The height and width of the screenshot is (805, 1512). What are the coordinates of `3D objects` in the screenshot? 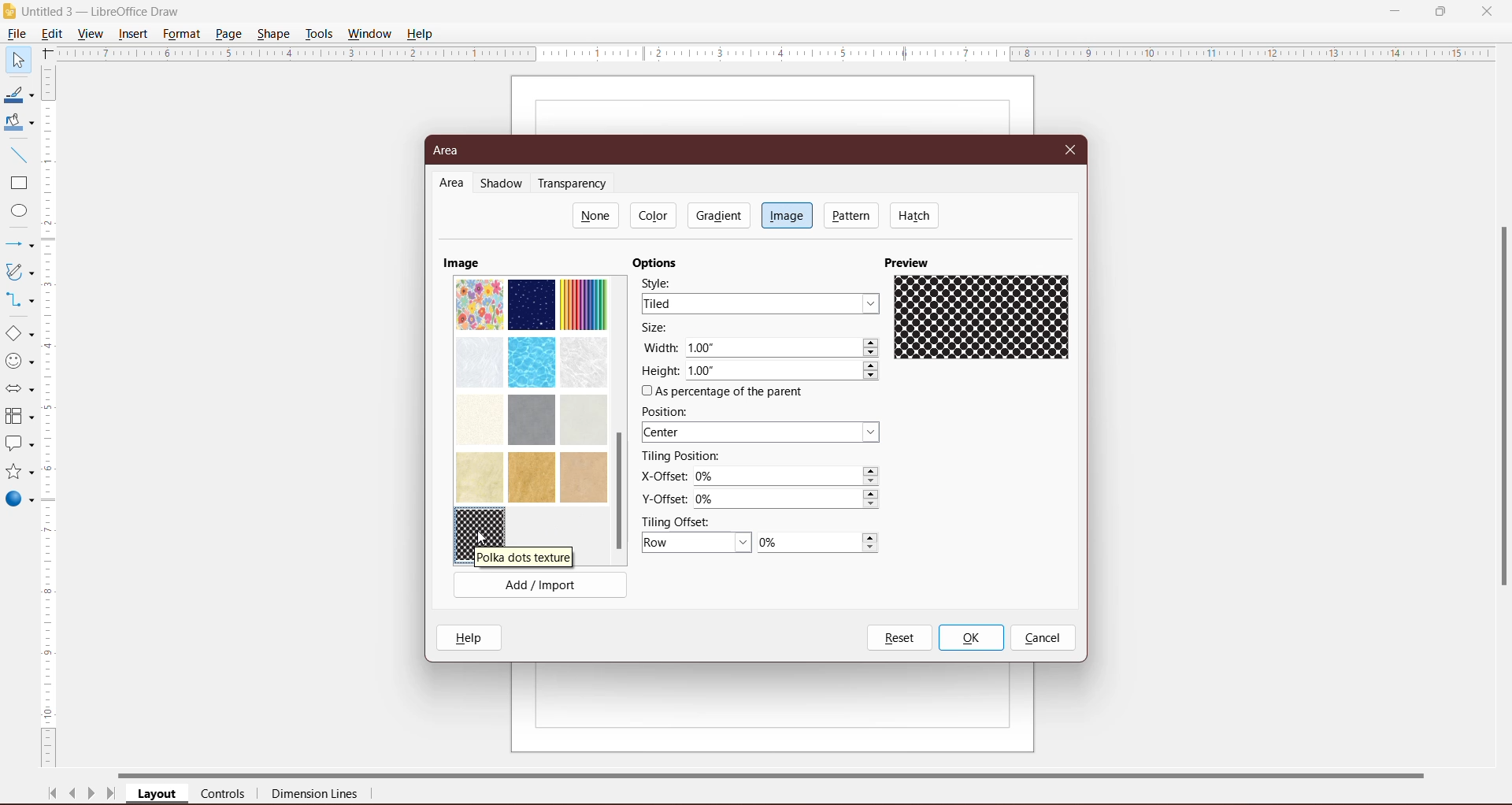 It's located at (19, 501).